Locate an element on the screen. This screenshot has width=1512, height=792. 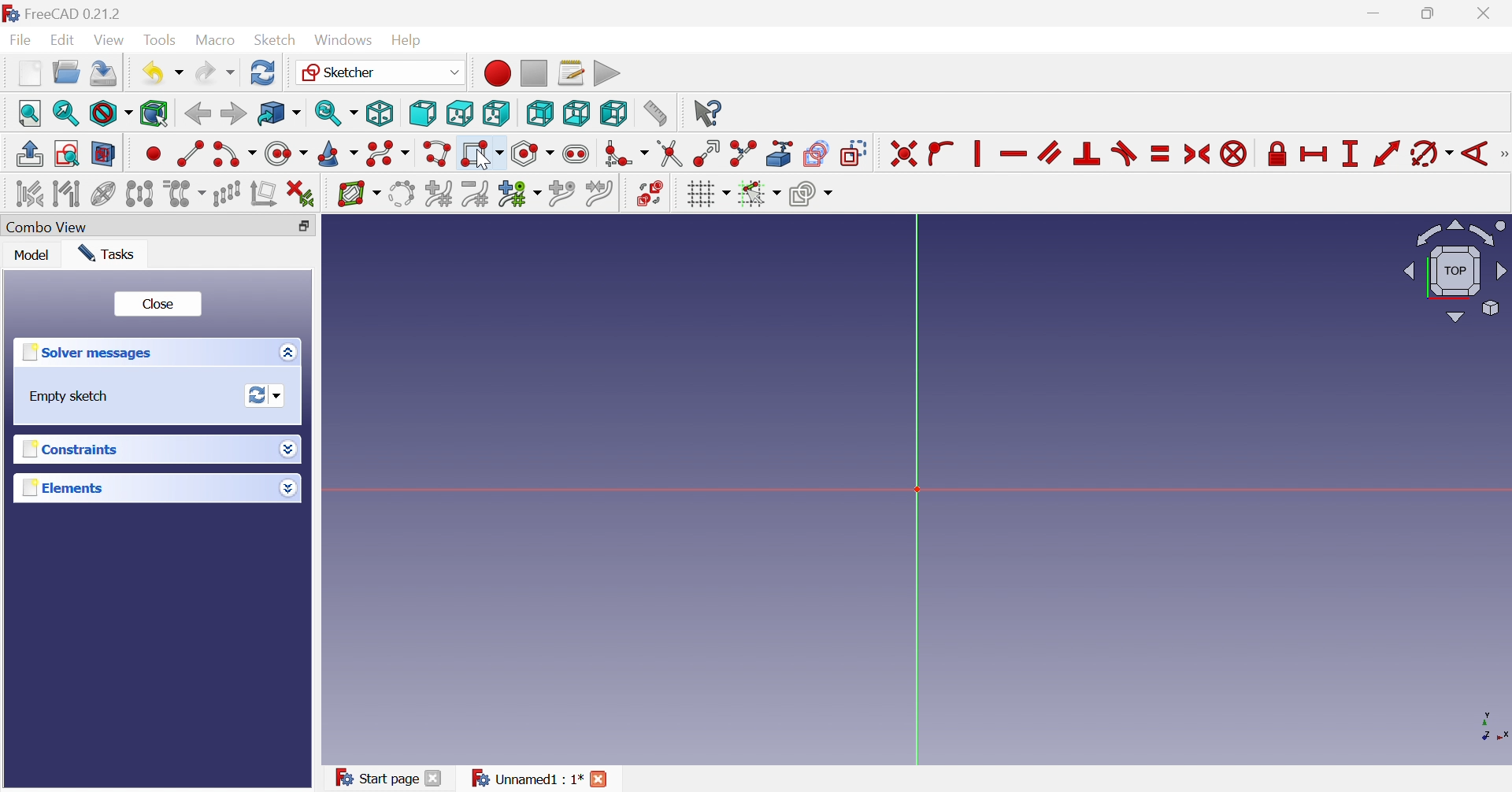
Constrain point onto object is located at coordinates (940, 151).